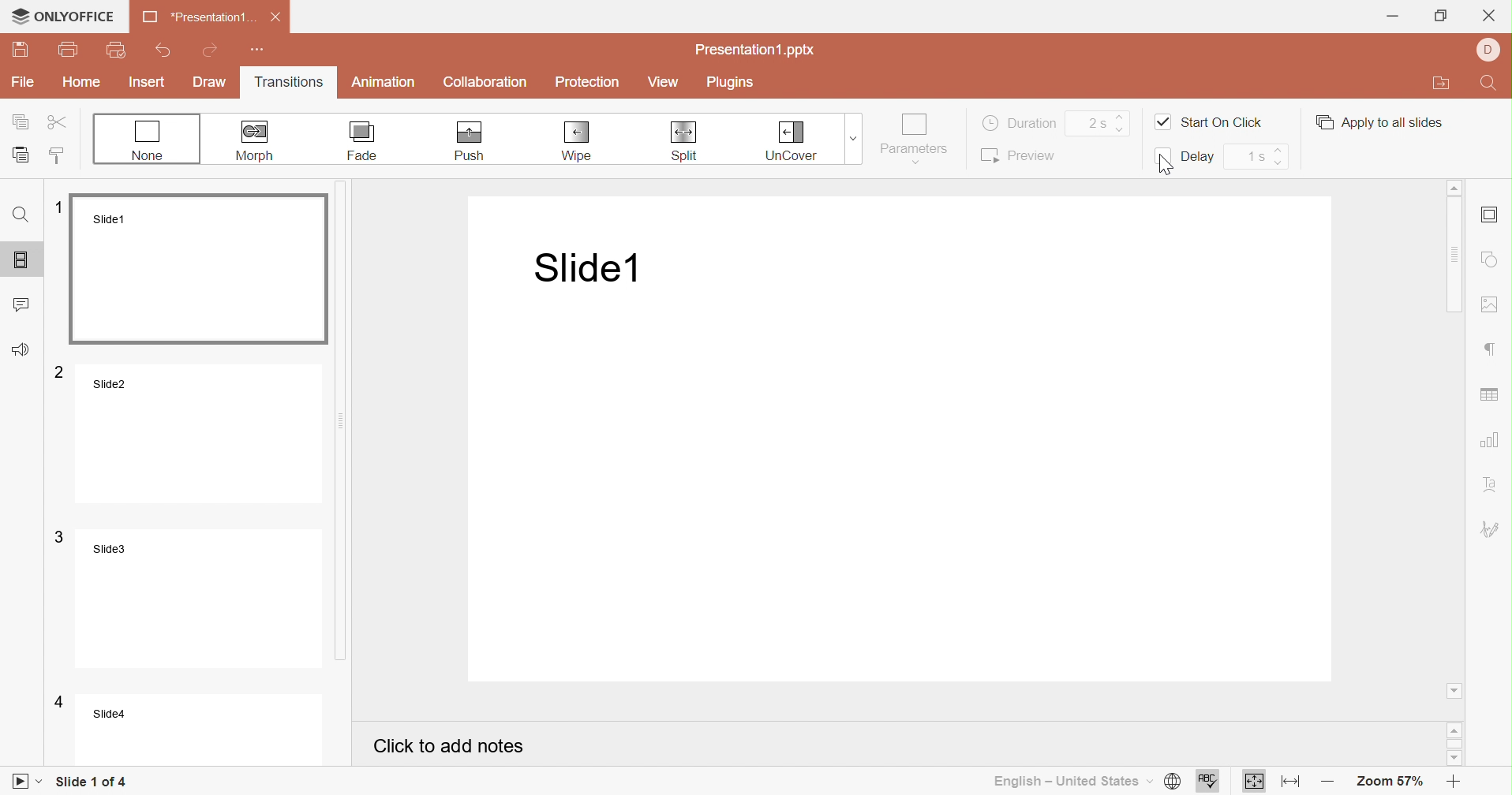  Describe the element at coordinates (1458, 188) in the screenshot. I see `Scroll up` at that location.